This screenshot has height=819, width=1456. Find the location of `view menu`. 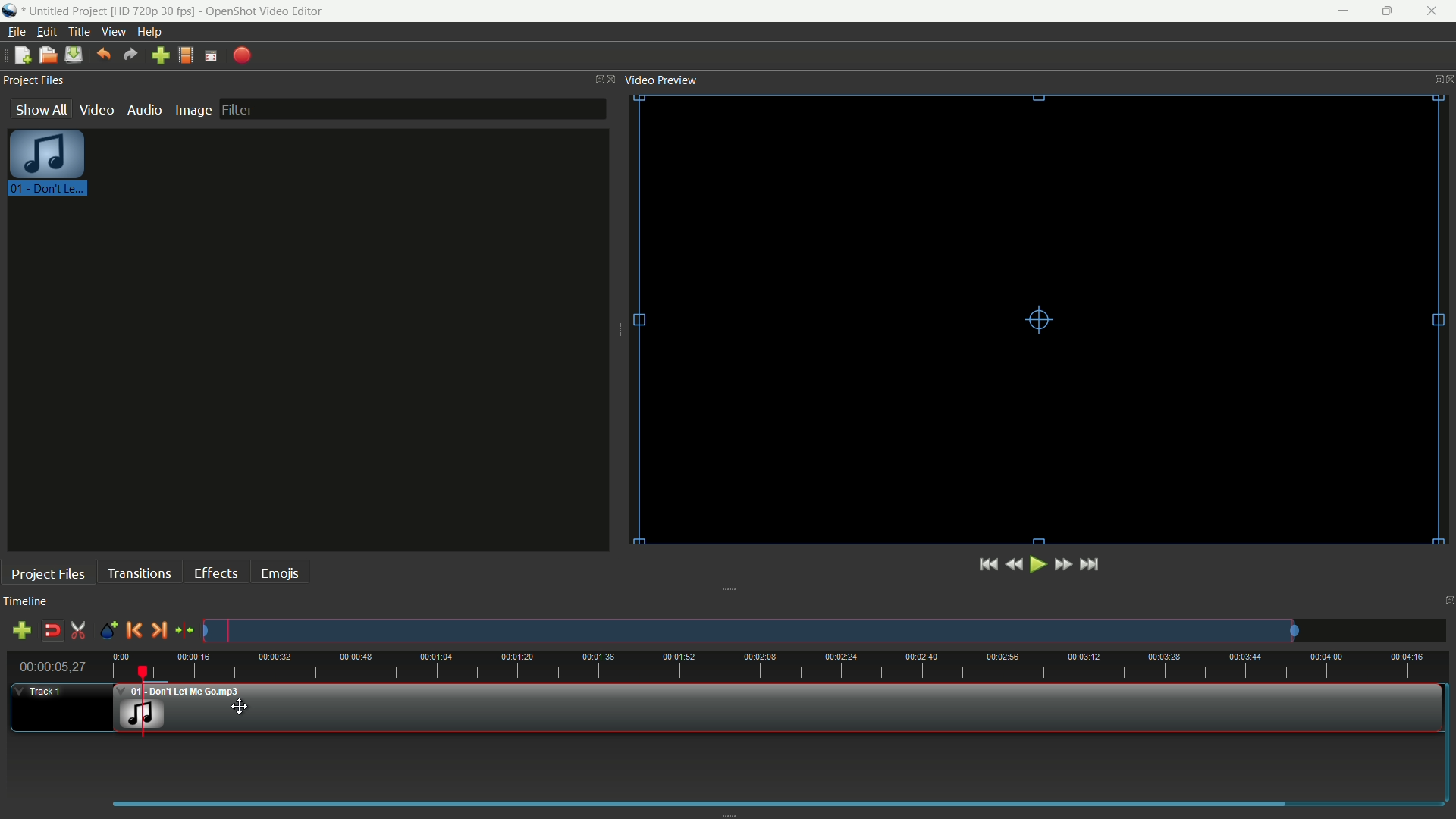

view menu is located at coordinates (115, 33).